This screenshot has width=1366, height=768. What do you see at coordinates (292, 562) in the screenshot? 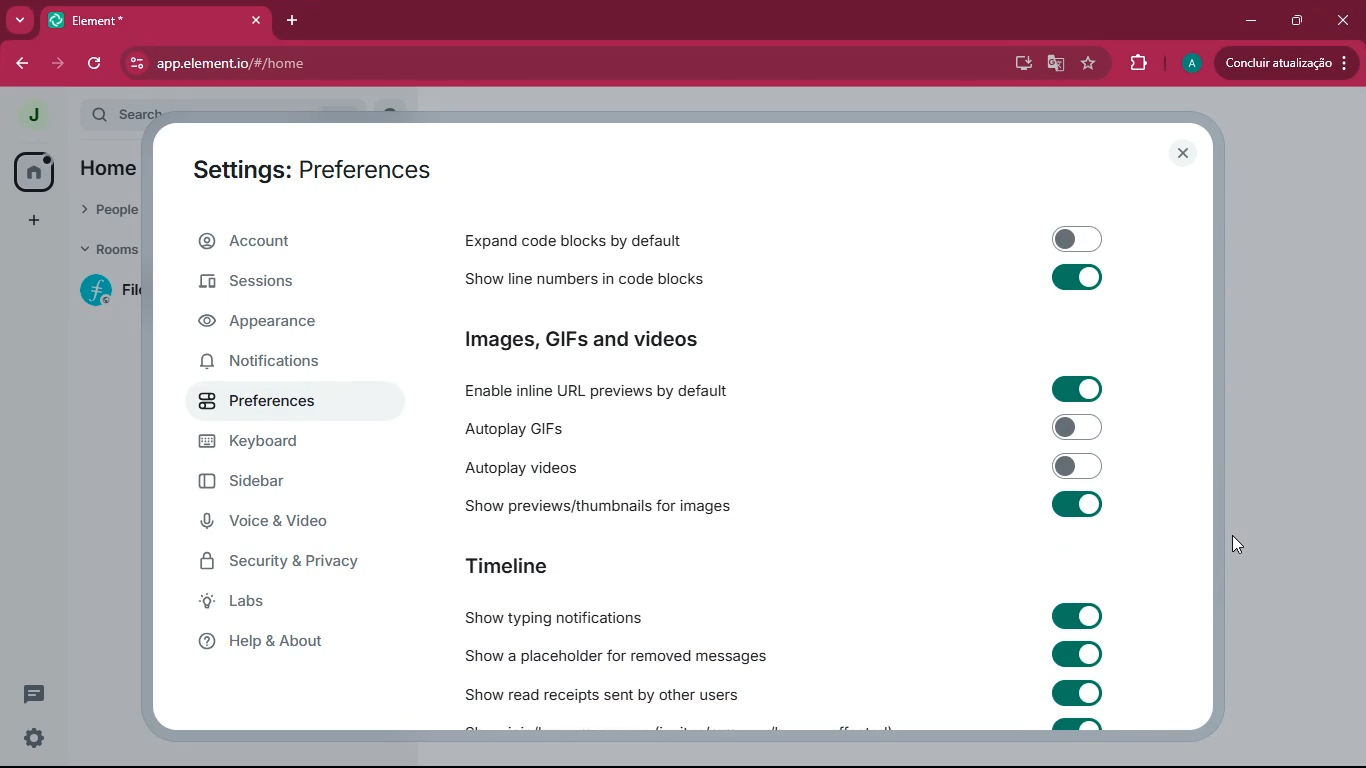
I see `security & privacy` at bounding box center [292, 562].